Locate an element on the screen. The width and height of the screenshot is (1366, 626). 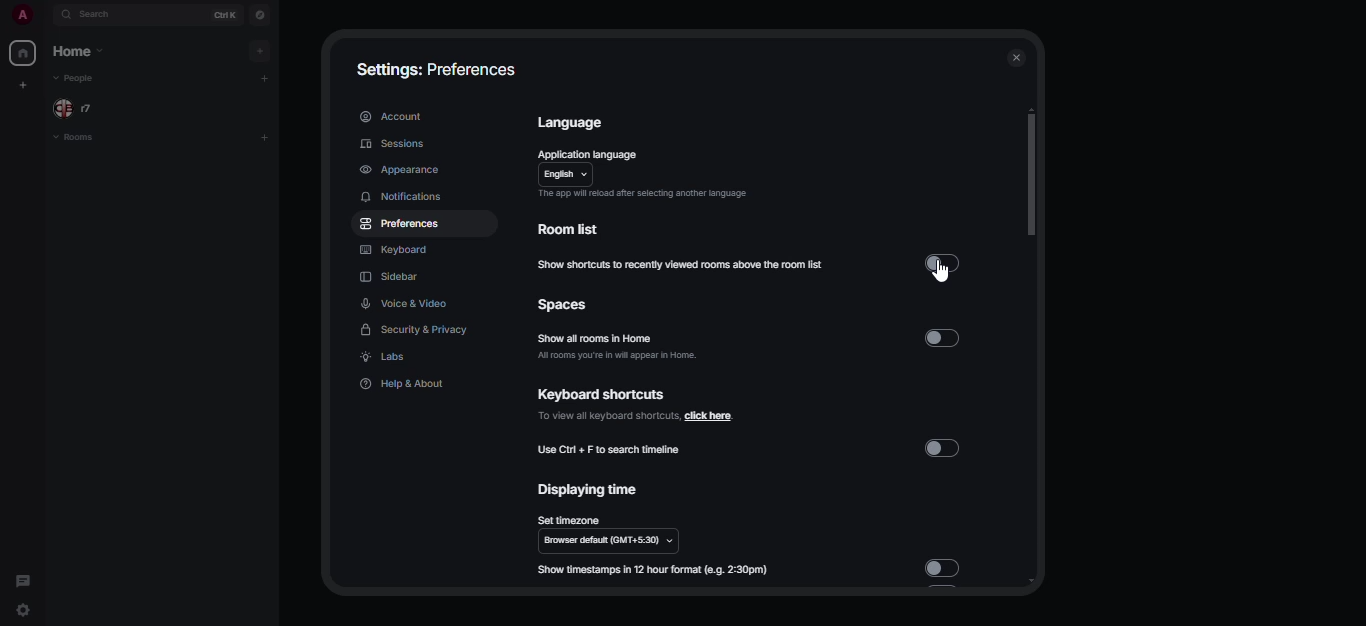
profile is located at coordinates (22, 14).